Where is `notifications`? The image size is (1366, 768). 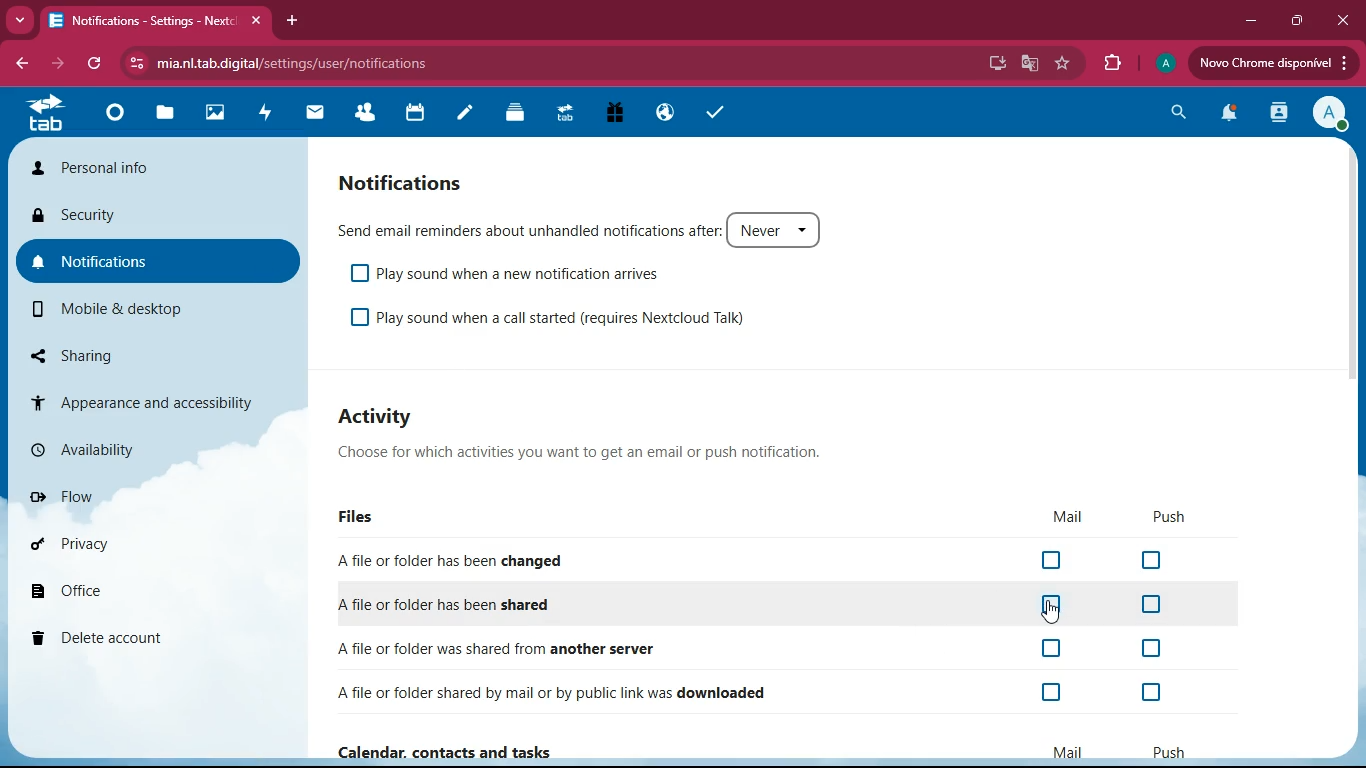 notifications is located at coordinates (412, 179).